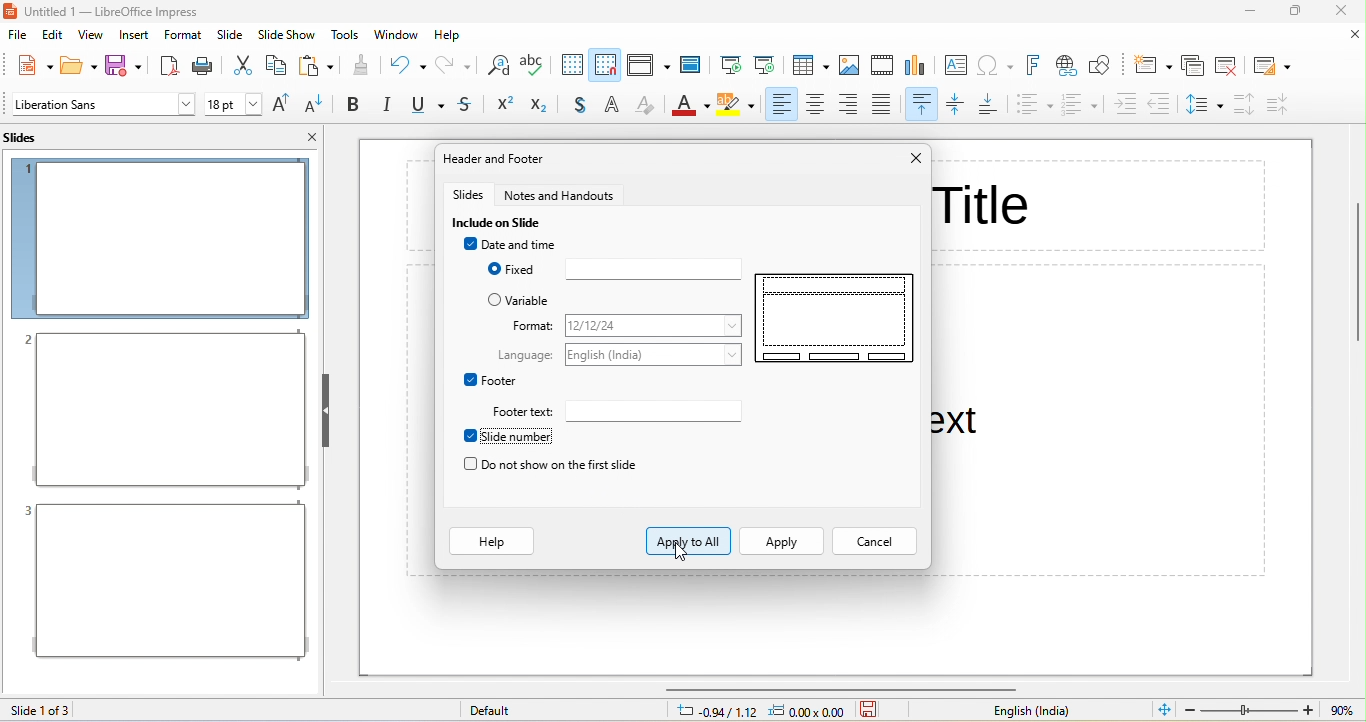 The height and width of the screenshot is (722, 1366). What do you see at coordinates (985, 203) in the screenshot?
I see `Title` at bounding box center [985, 203].